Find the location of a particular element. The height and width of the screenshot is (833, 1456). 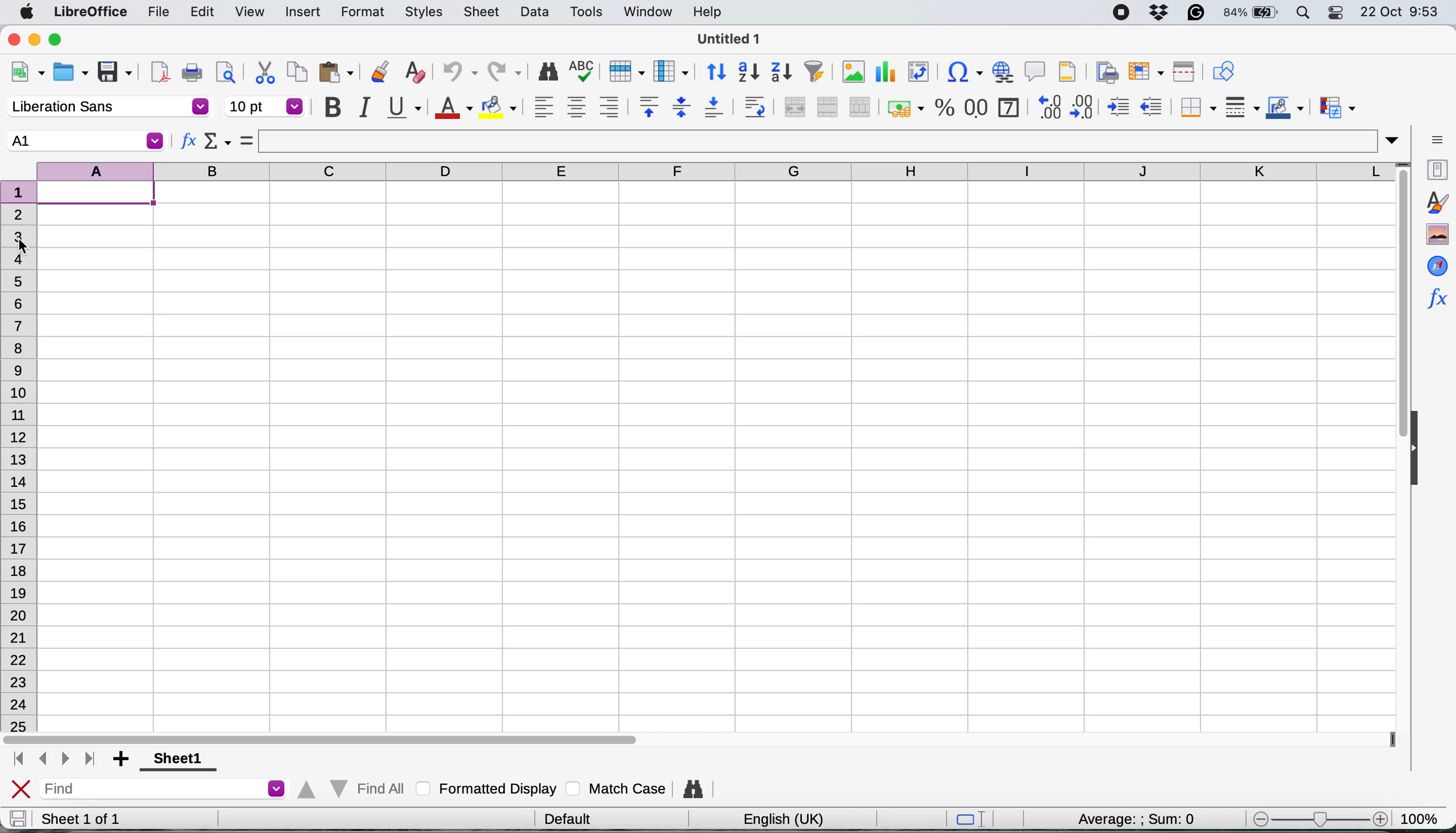

default is located at coordinates (572, 817).